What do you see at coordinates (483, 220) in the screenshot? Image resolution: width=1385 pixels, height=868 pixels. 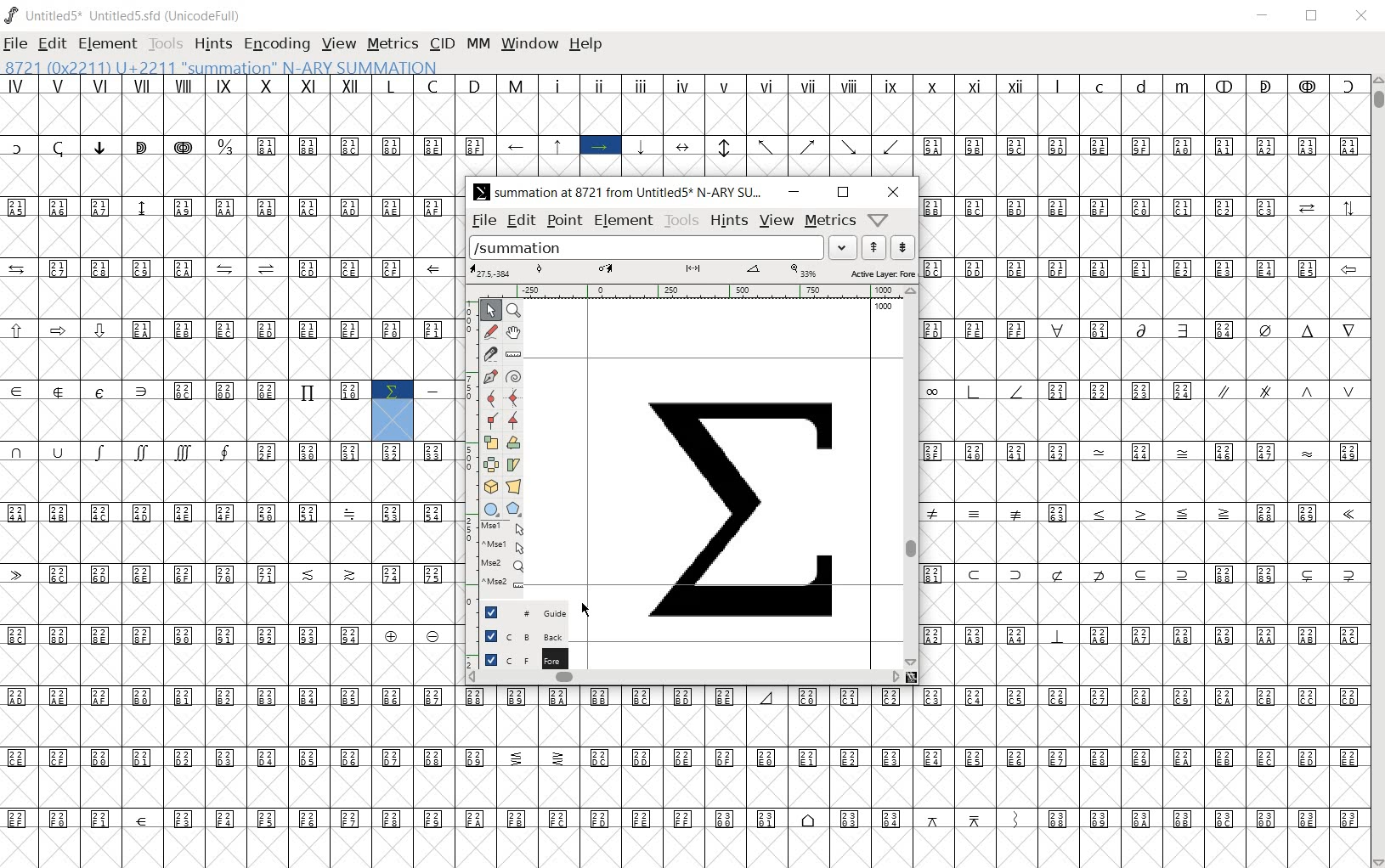 I see `file` at bounding box center [483, 220].